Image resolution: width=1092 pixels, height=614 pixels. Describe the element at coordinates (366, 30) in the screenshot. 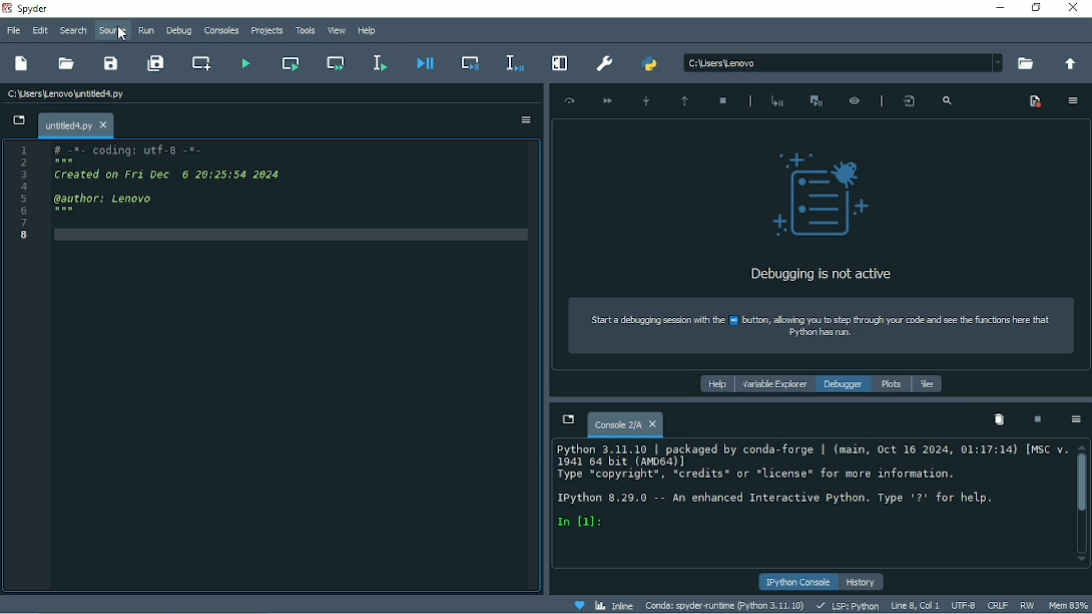

I see `Help` at that location.